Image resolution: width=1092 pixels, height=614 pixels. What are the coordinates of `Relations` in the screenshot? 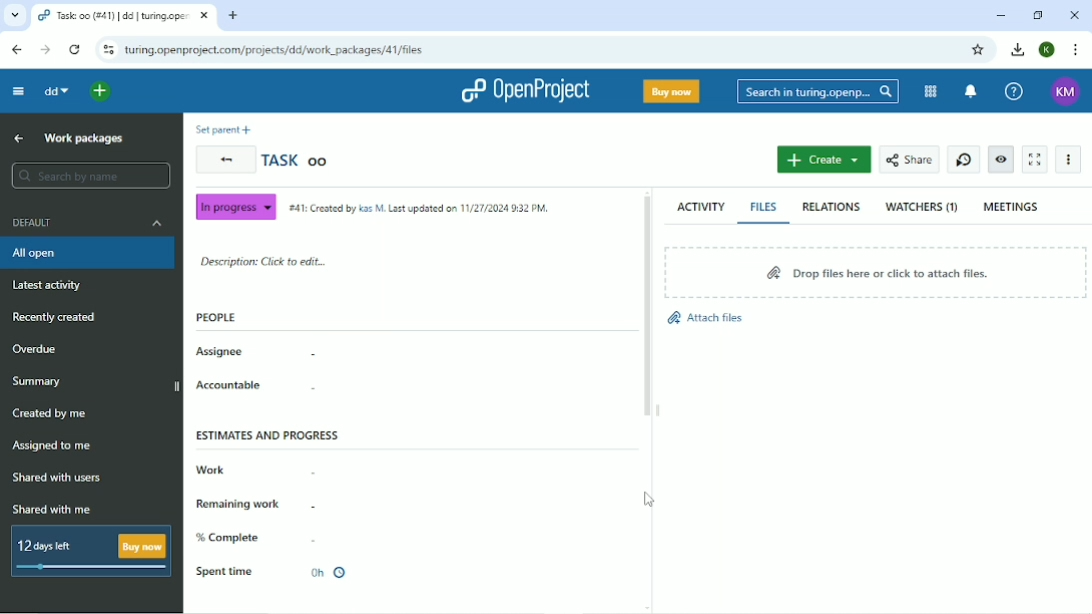 It's located at (834, 208).